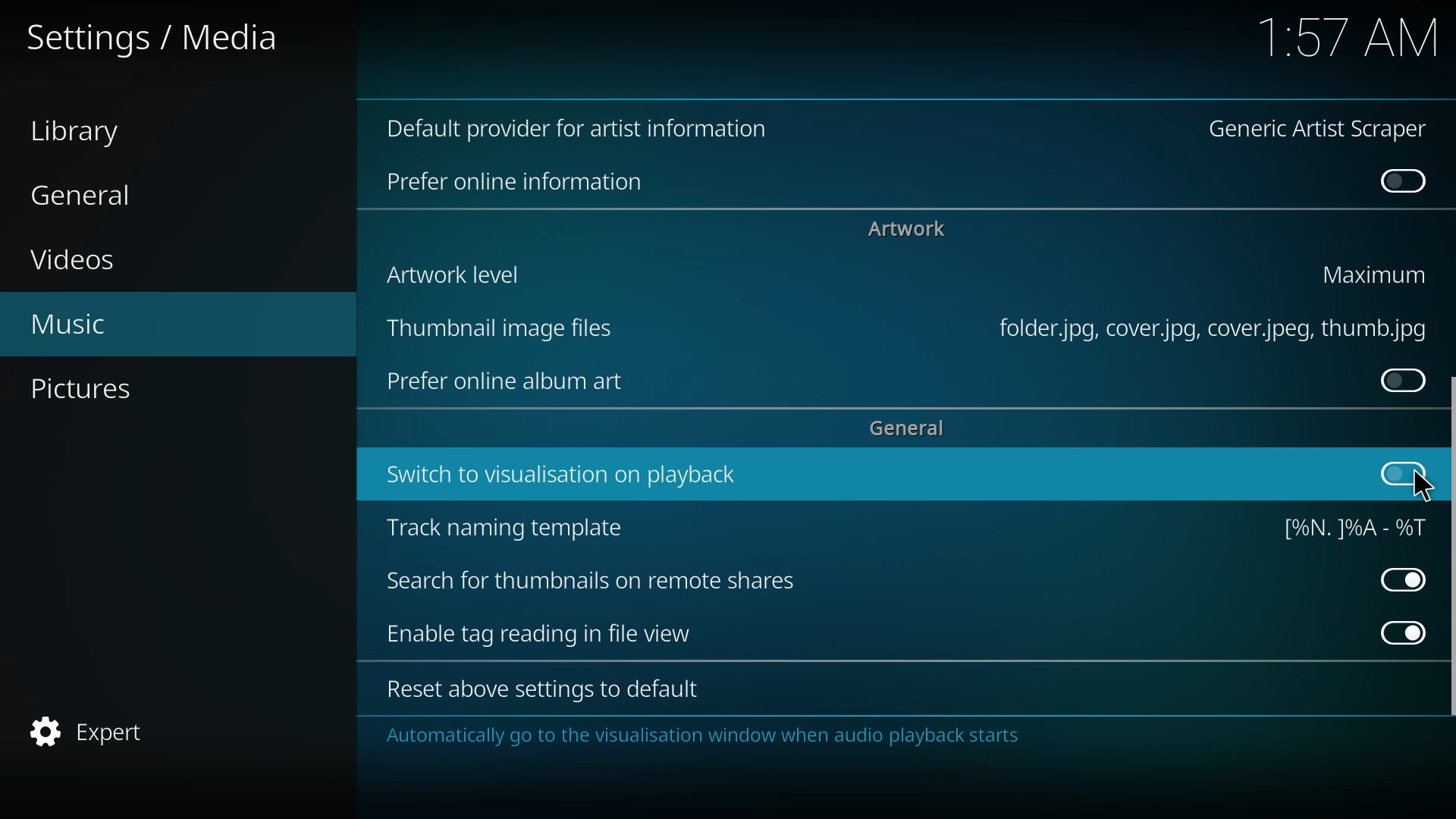 This screenshot has width=1456, height=819. What do you see at coordinates (587, 129) in the screenshot?
I see `default` at bounding box center [587, 129].